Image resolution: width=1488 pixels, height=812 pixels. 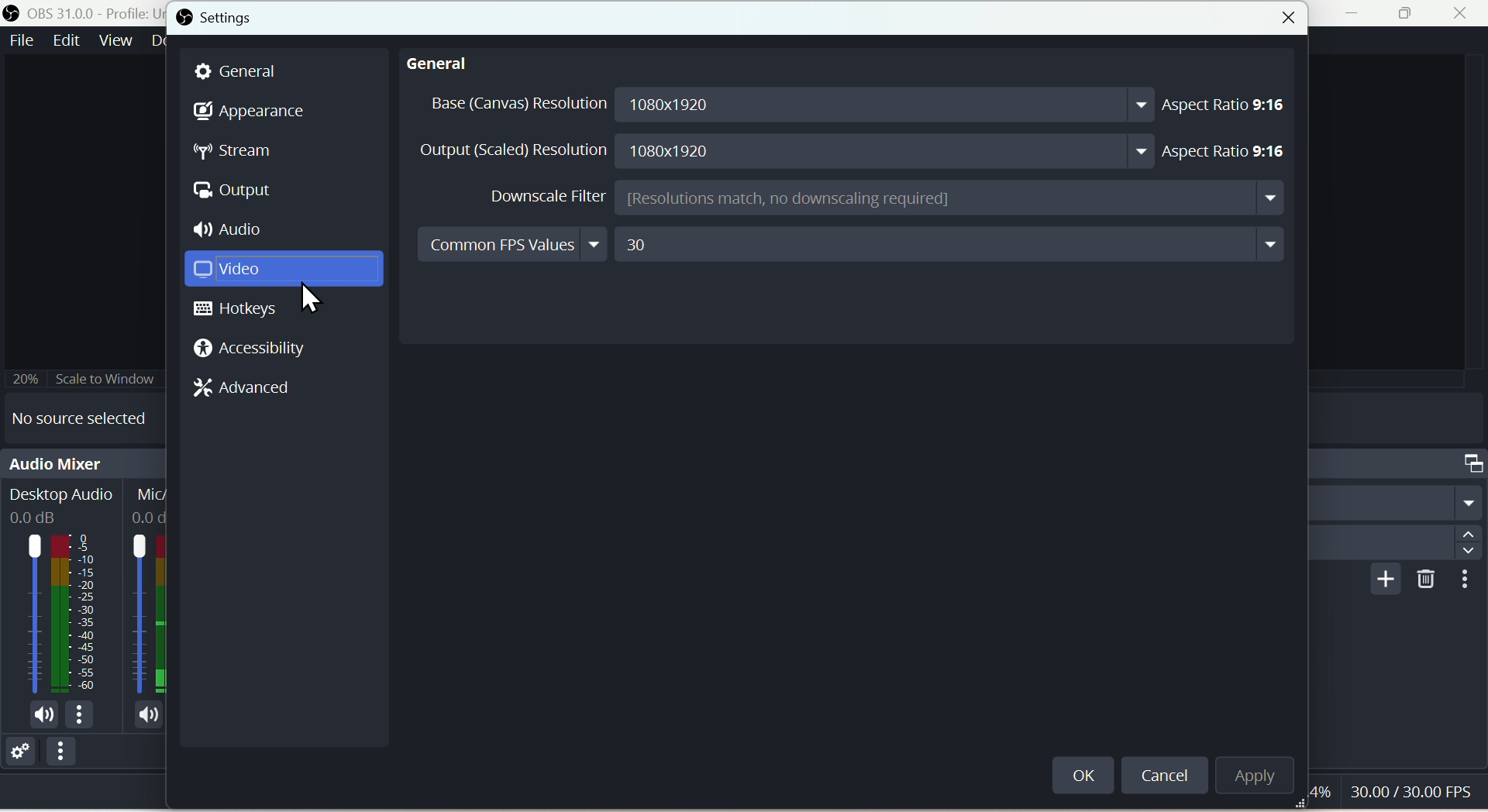 What do you see at coordinates (246, 71) in the screenshot?
I see `General` at bounding box center [246, 71].